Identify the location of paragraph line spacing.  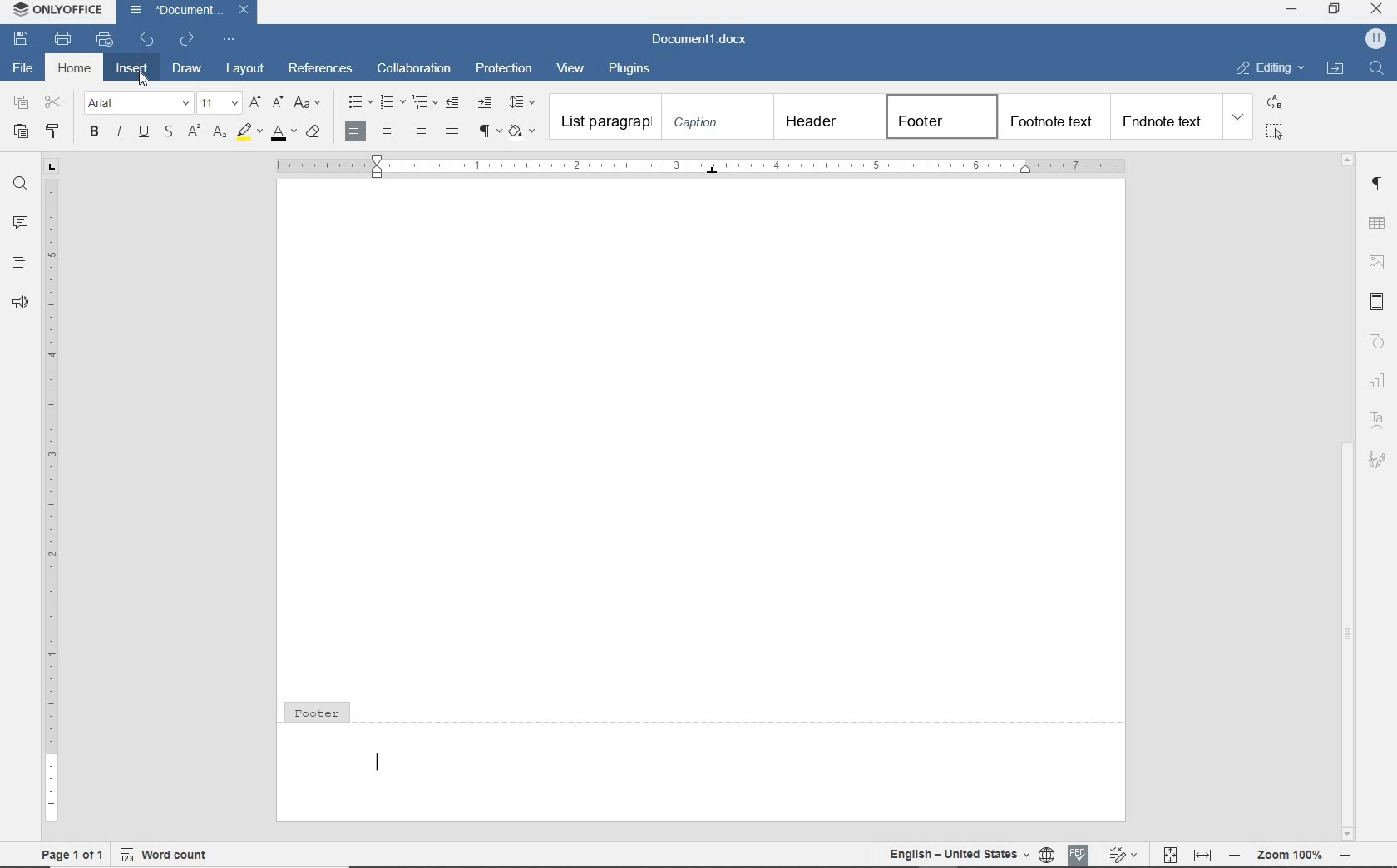
(521, 101).